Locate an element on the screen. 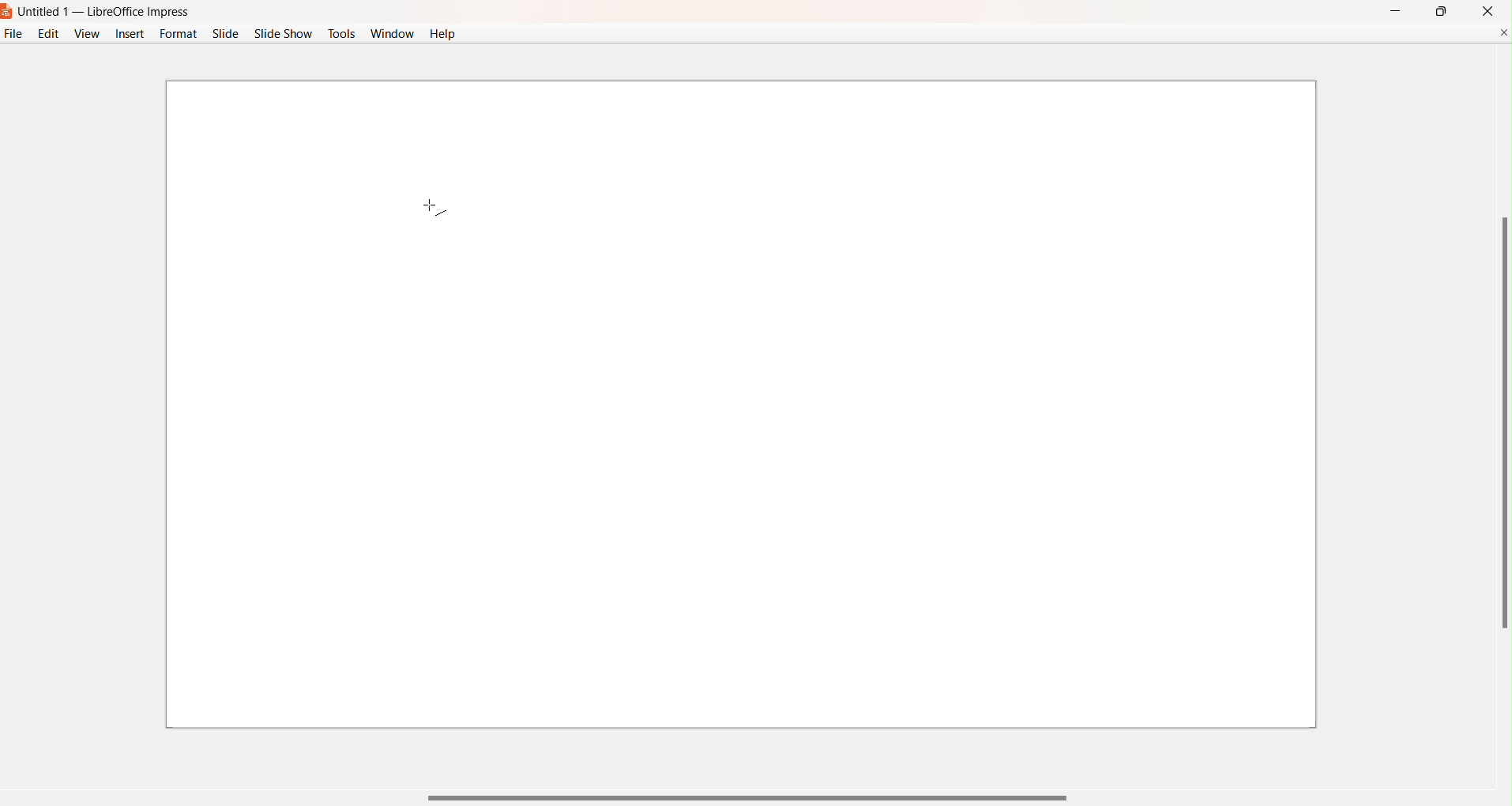  Help is located at coordinates (444, 34).